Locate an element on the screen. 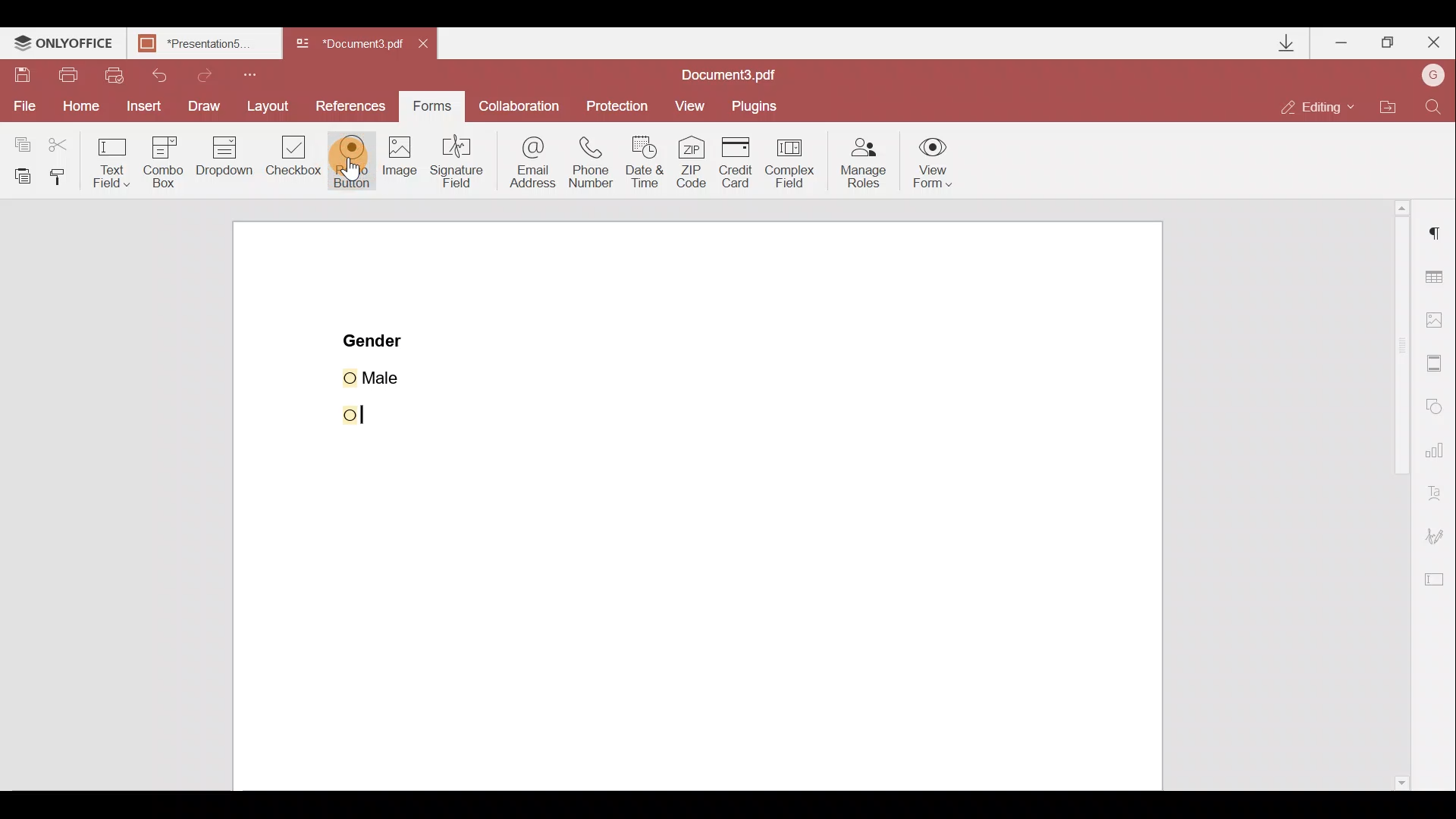 This screenshot has width=1456, height=819. Close is located at coordinates (1434, 43).